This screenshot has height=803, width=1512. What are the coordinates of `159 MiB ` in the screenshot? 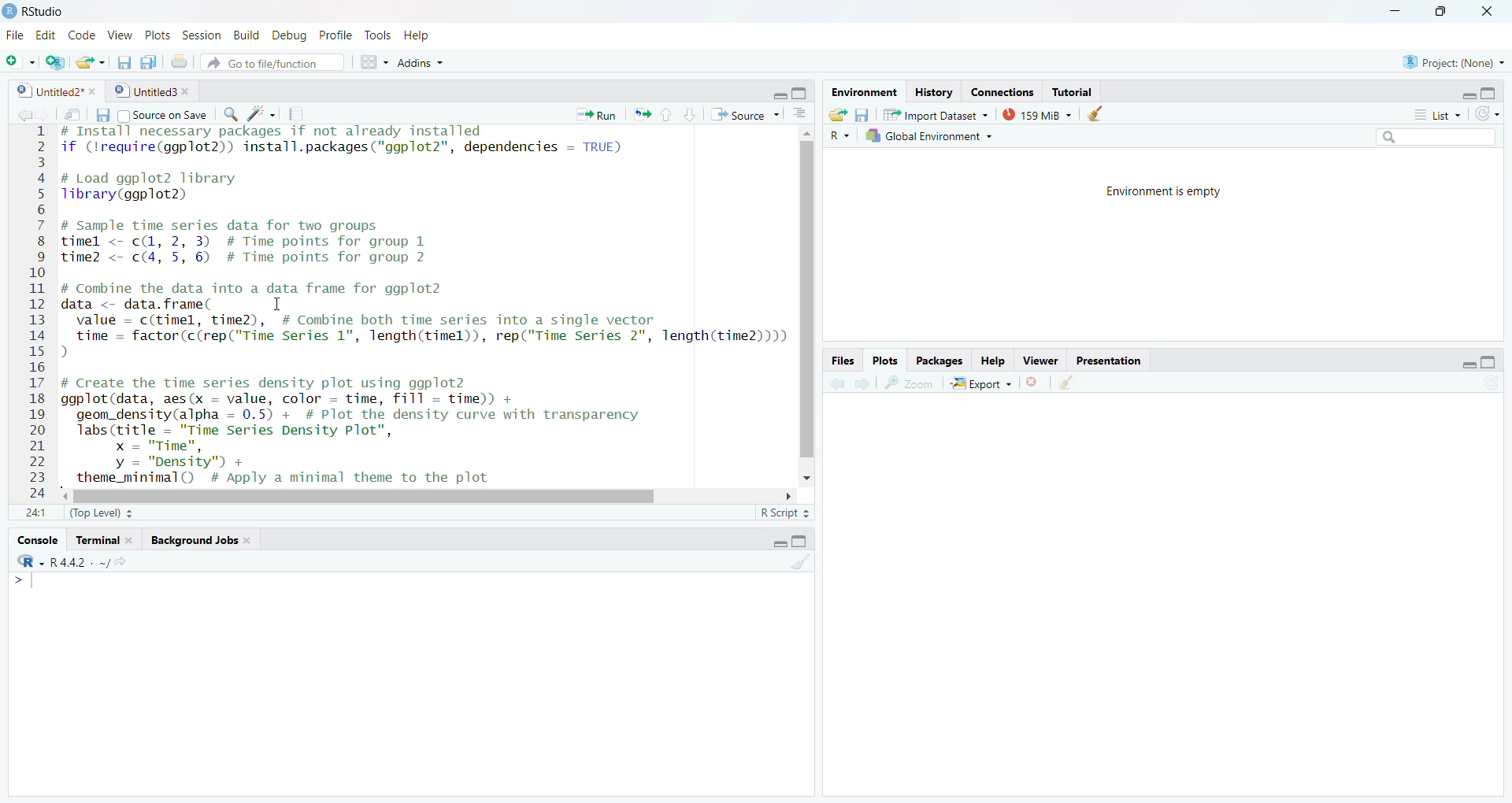 It's located at (1035, 114).